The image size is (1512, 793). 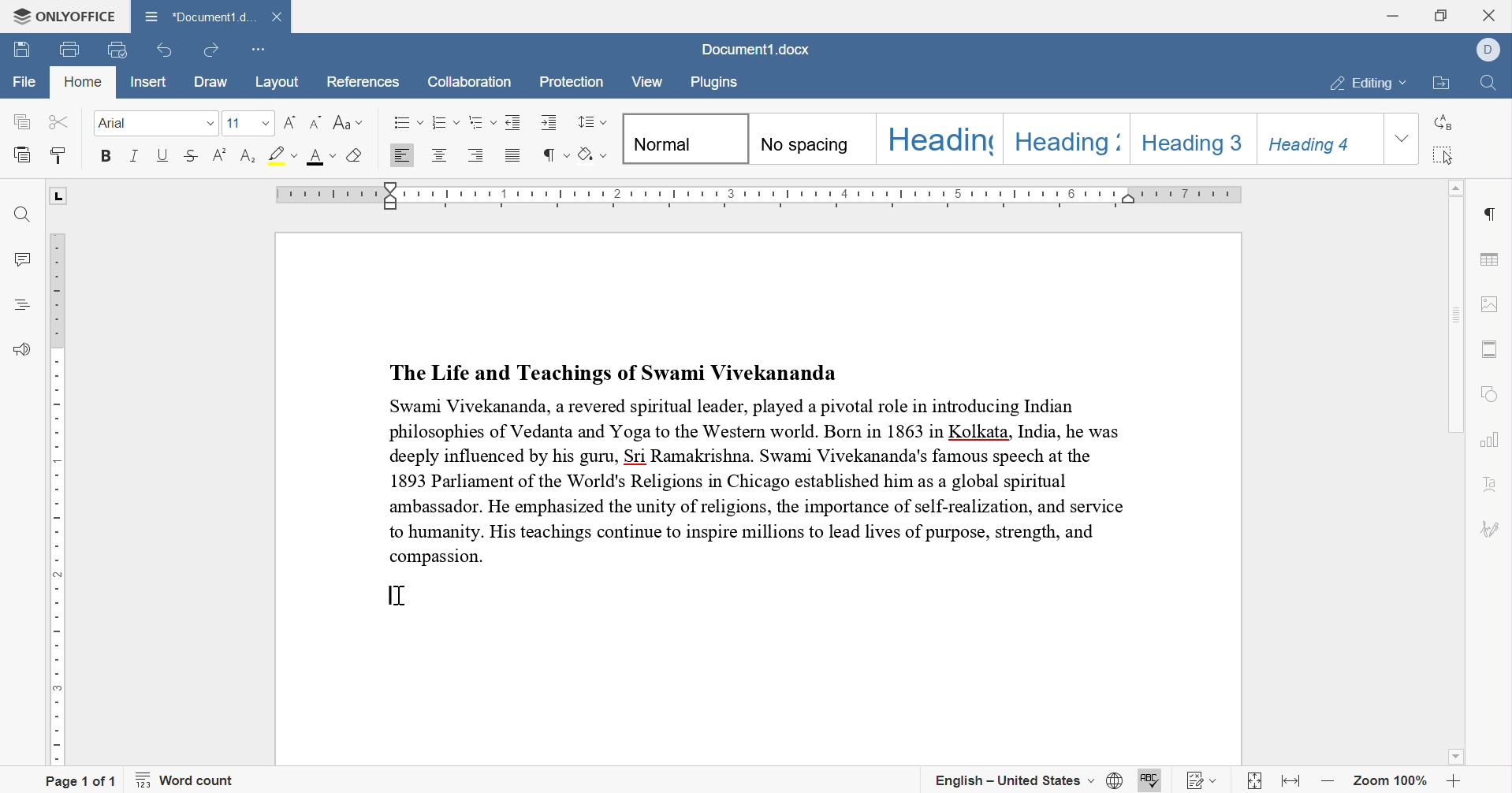 What do you see at coordinates (594, 155) in the screenshot?
I see `shading` at bounding box center [594, 155].